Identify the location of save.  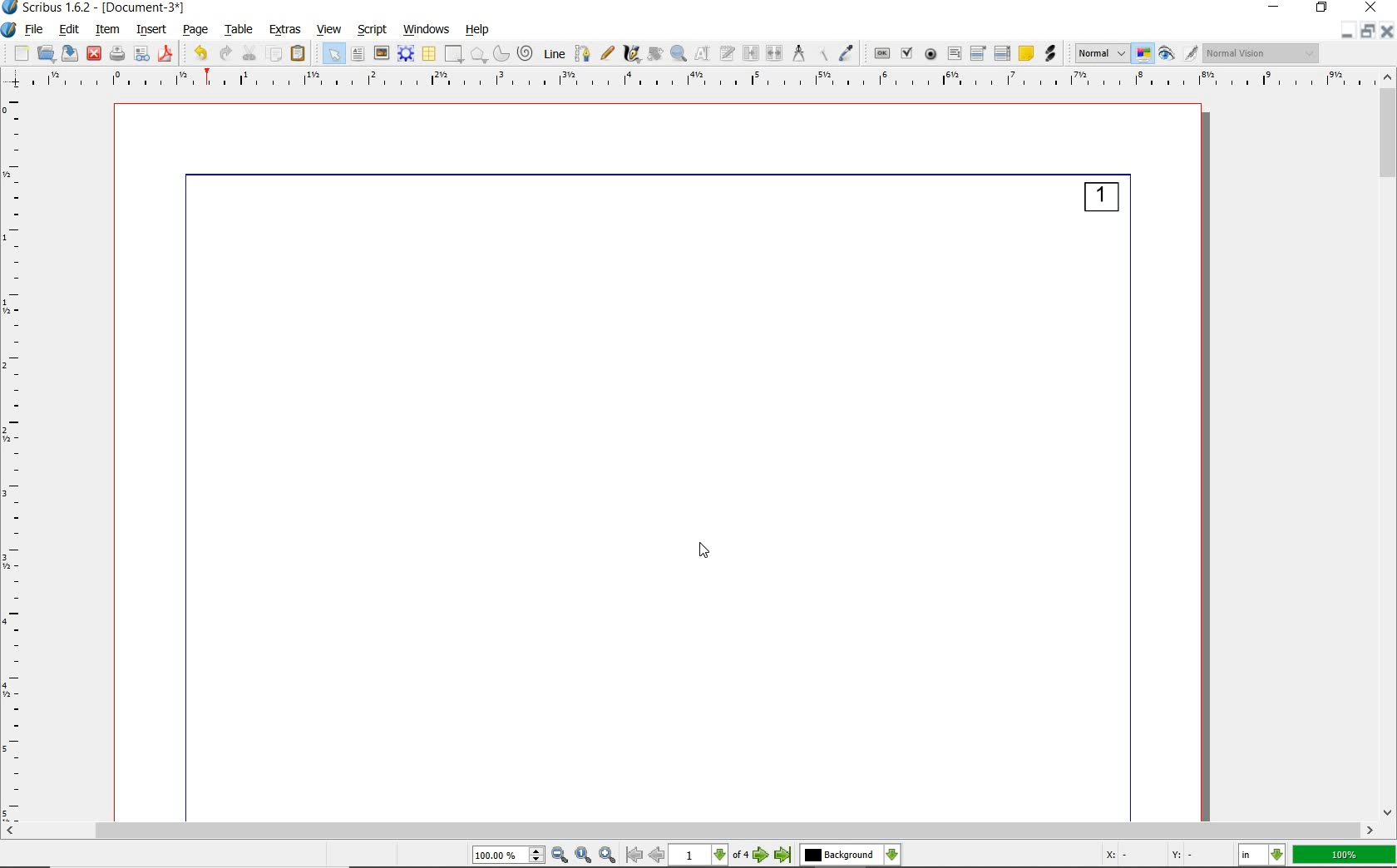
(68, 53).